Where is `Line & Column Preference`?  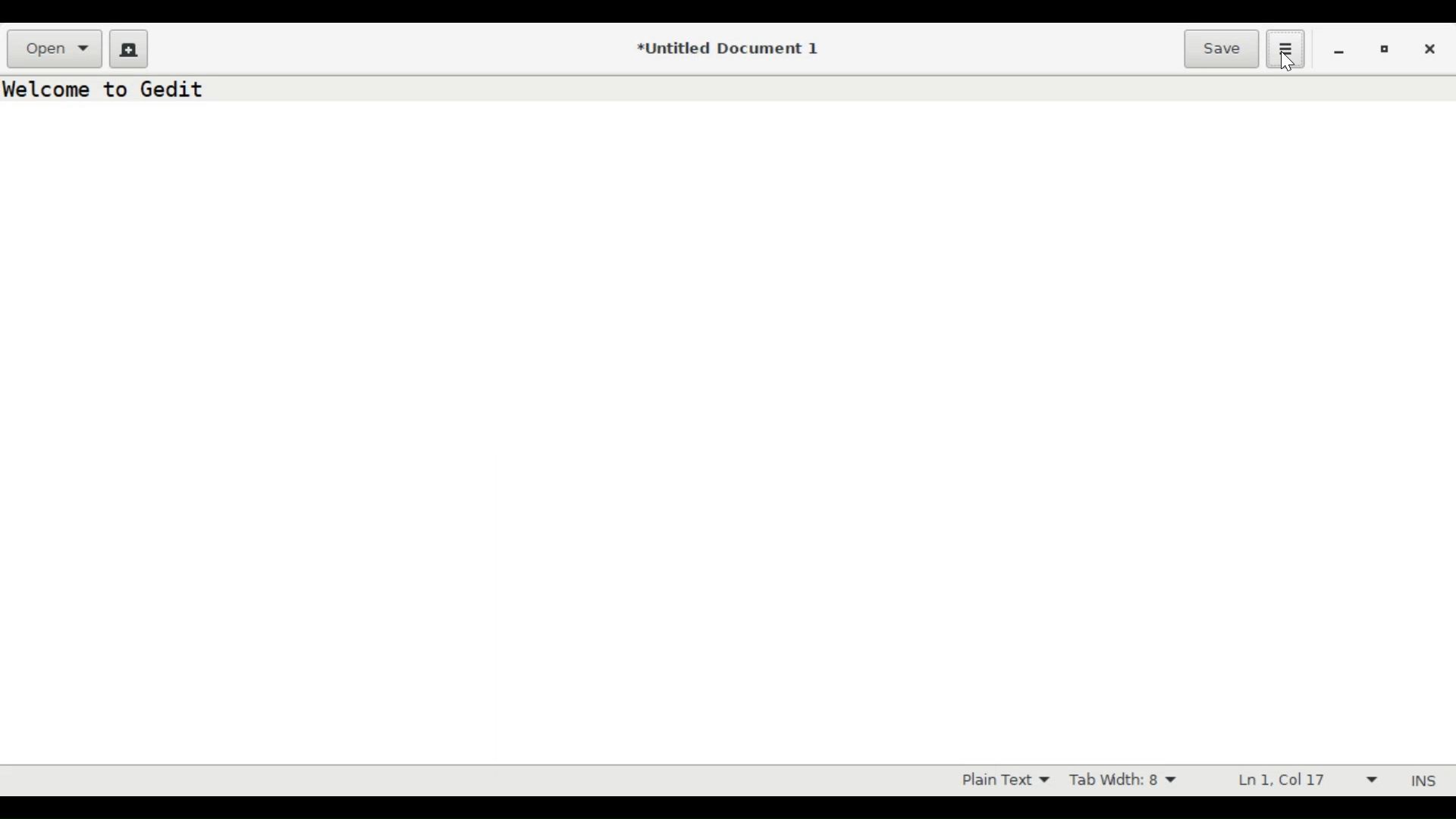 Line & Column Preference is located at coordinates (1307, 780).